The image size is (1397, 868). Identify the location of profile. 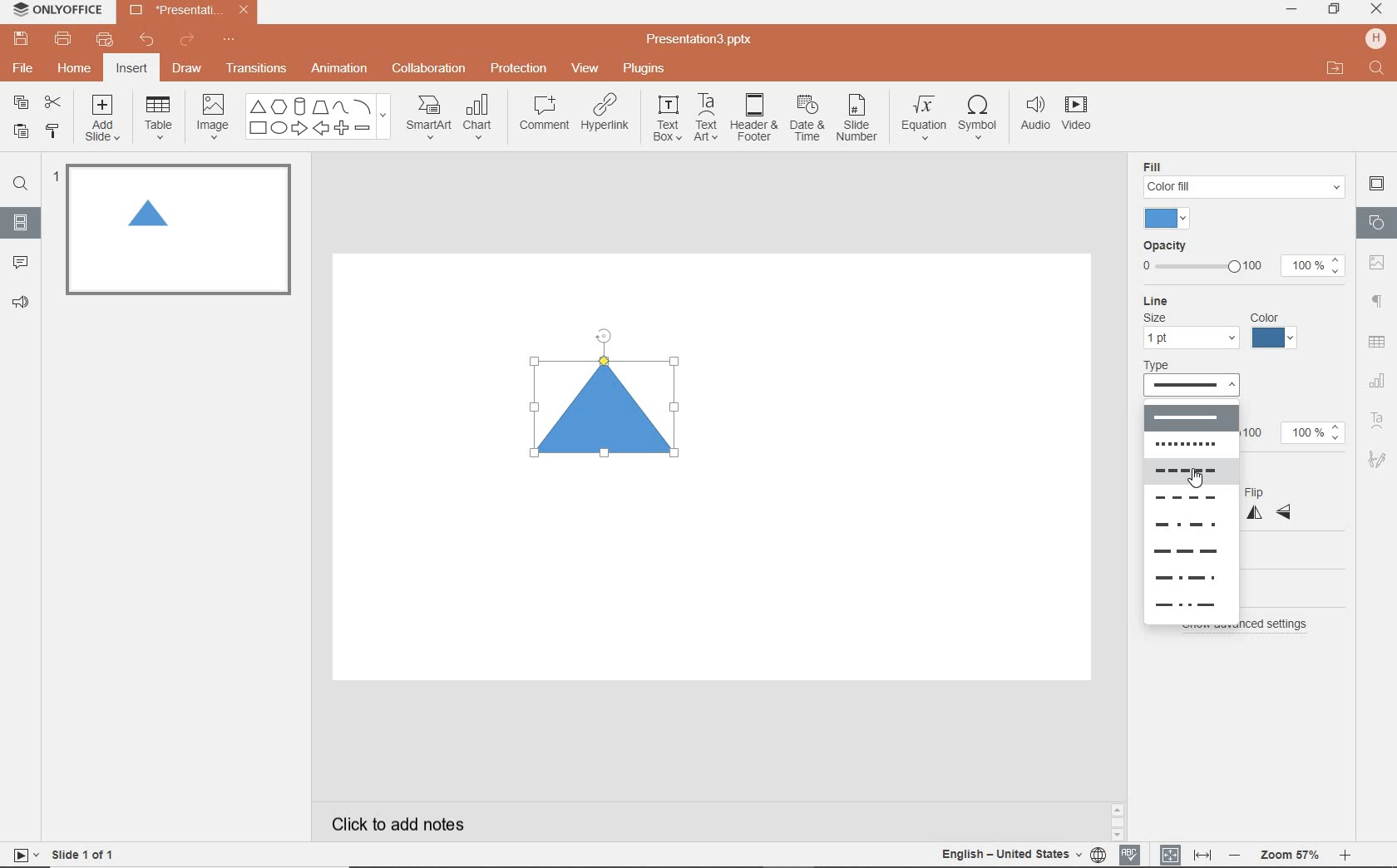
(1374, 38).